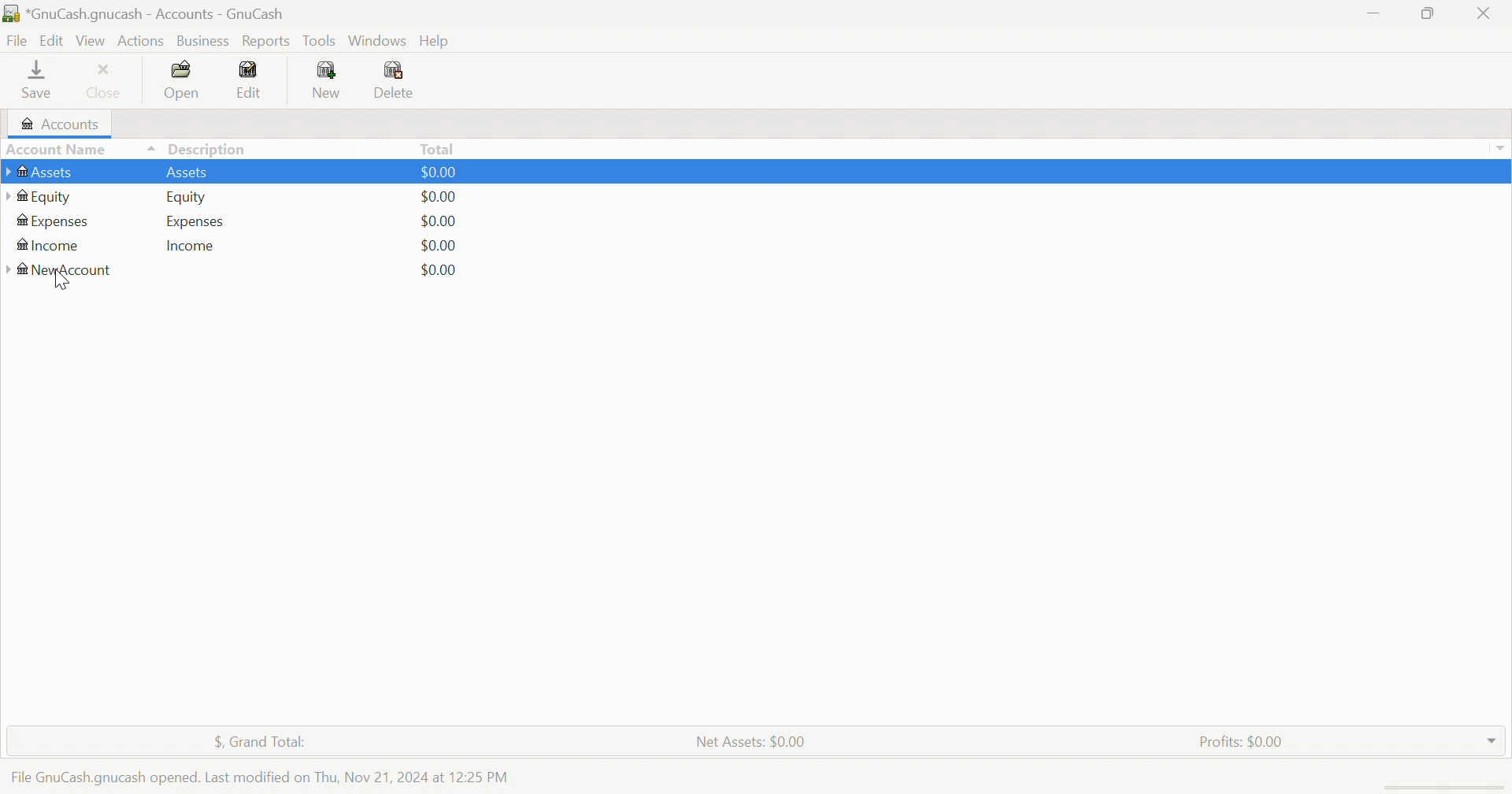 The width and height of the screenshot is (1512, 794). What do you see at coordinates (39, 197) in the screenshot?
I see `Equity` at bounding box center [39, 197].